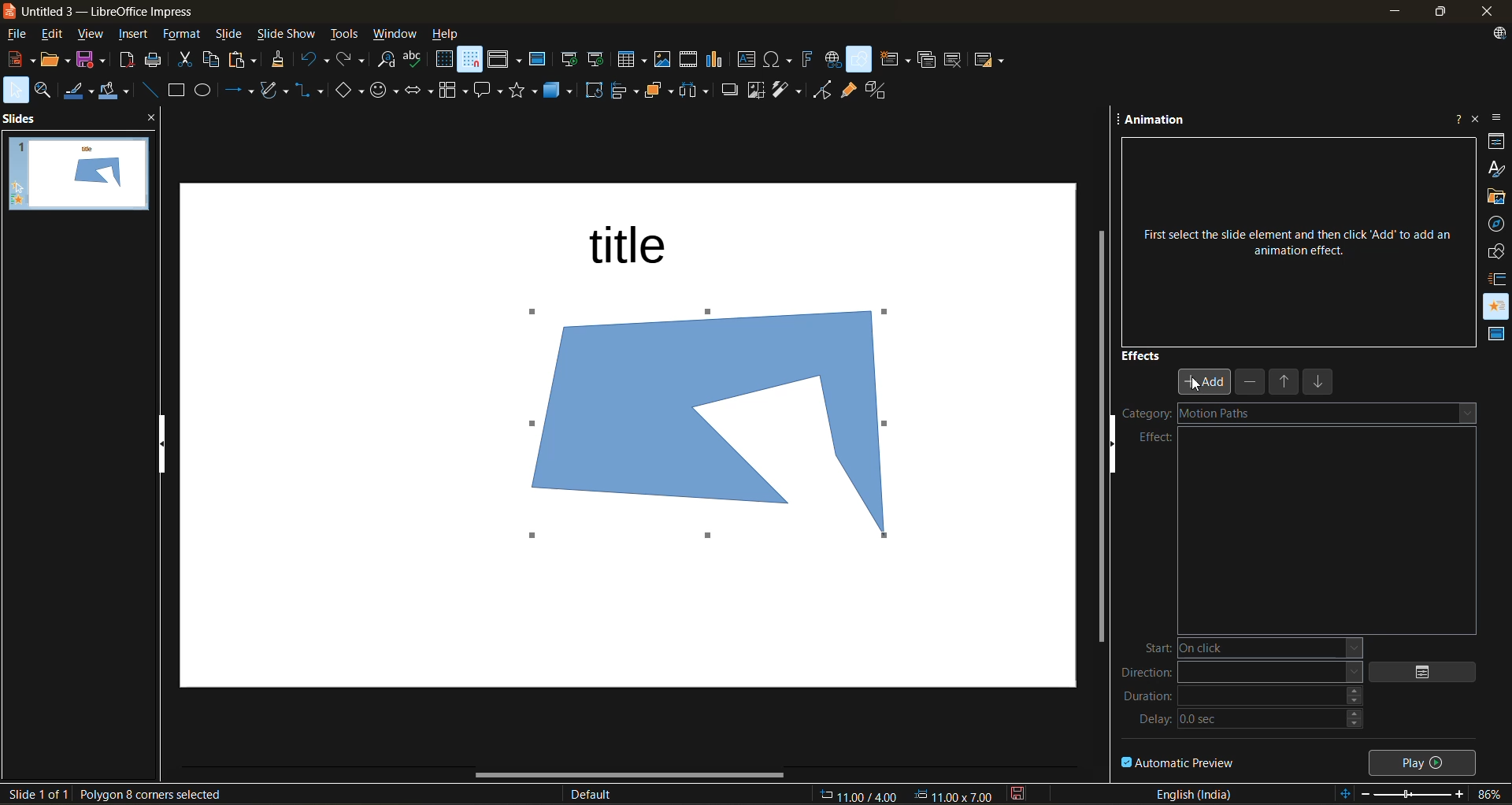 The height and width of the screenshot is (805, 1512). I want to click on redo, so click(352, 60).